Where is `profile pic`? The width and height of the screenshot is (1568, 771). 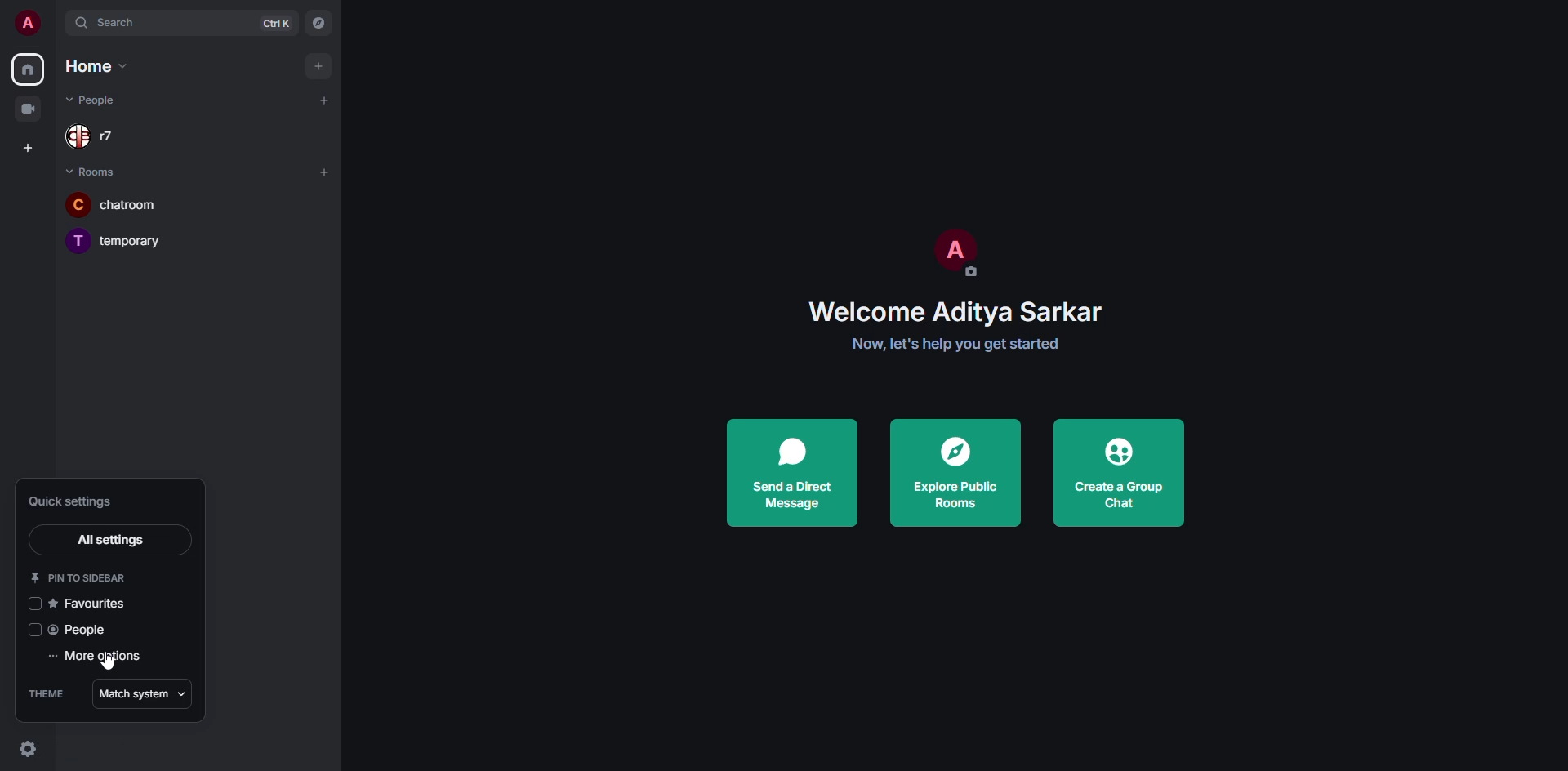
profile pic is located at coordinates (953, 251).